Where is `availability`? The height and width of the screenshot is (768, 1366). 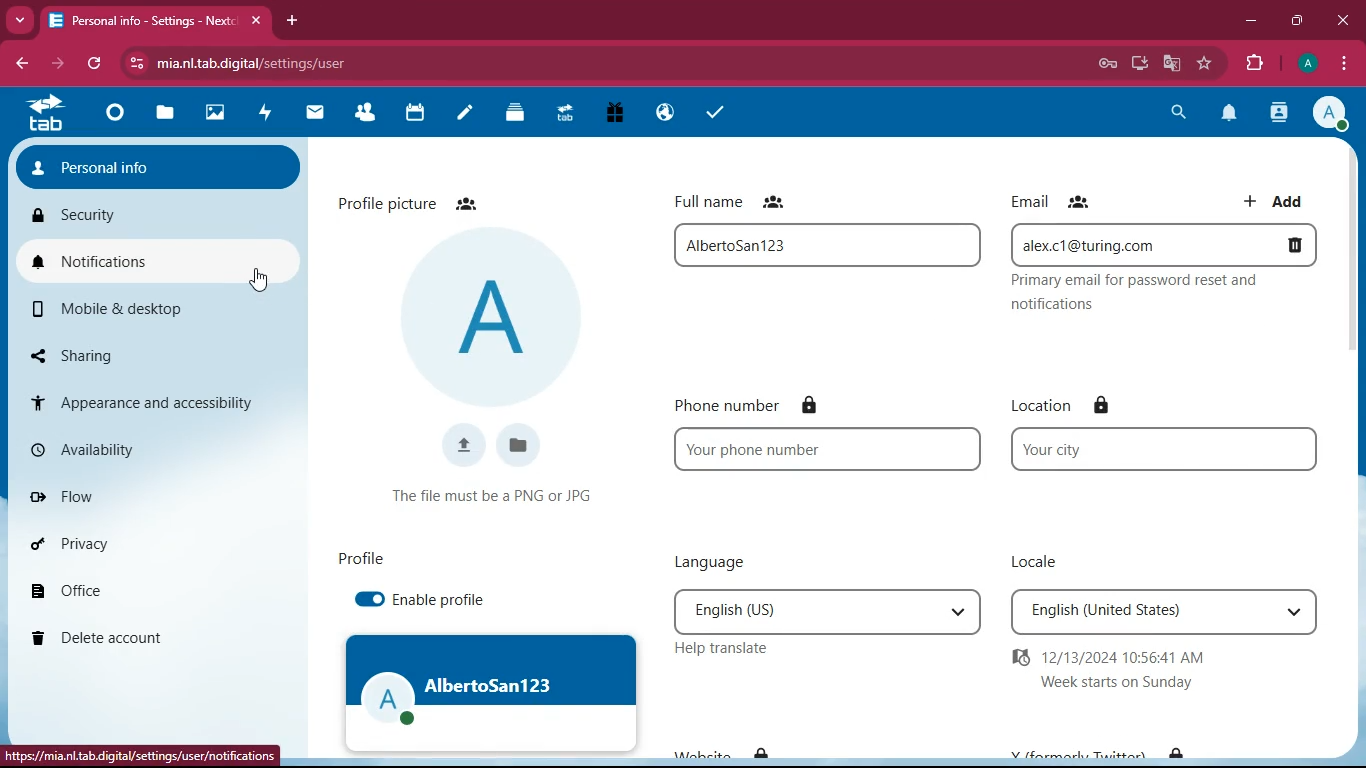 availability is located at coordinates (156, 447).